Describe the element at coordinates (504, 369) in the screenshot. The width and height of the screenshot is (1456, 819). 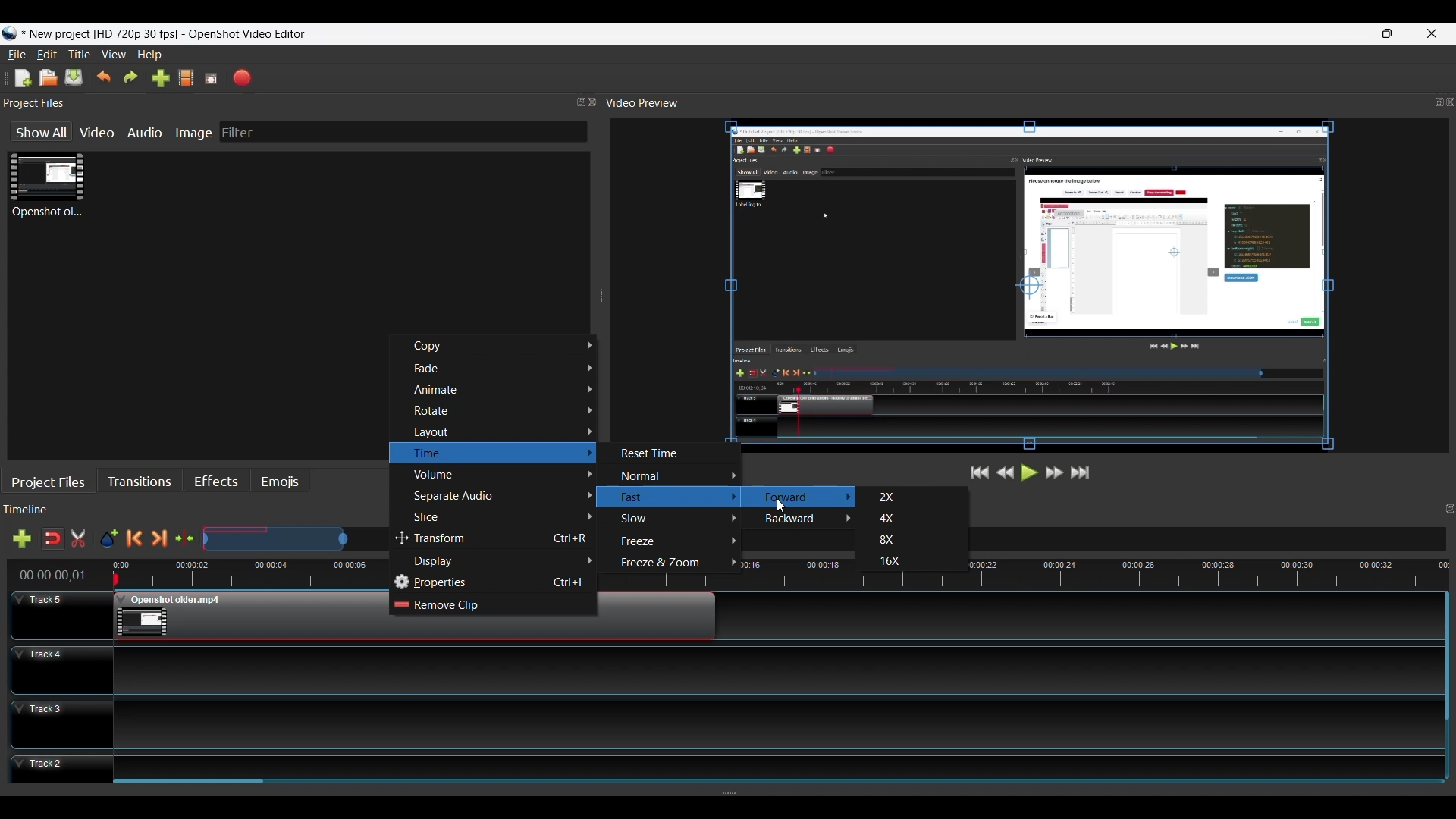
I see `Fade` at that location.